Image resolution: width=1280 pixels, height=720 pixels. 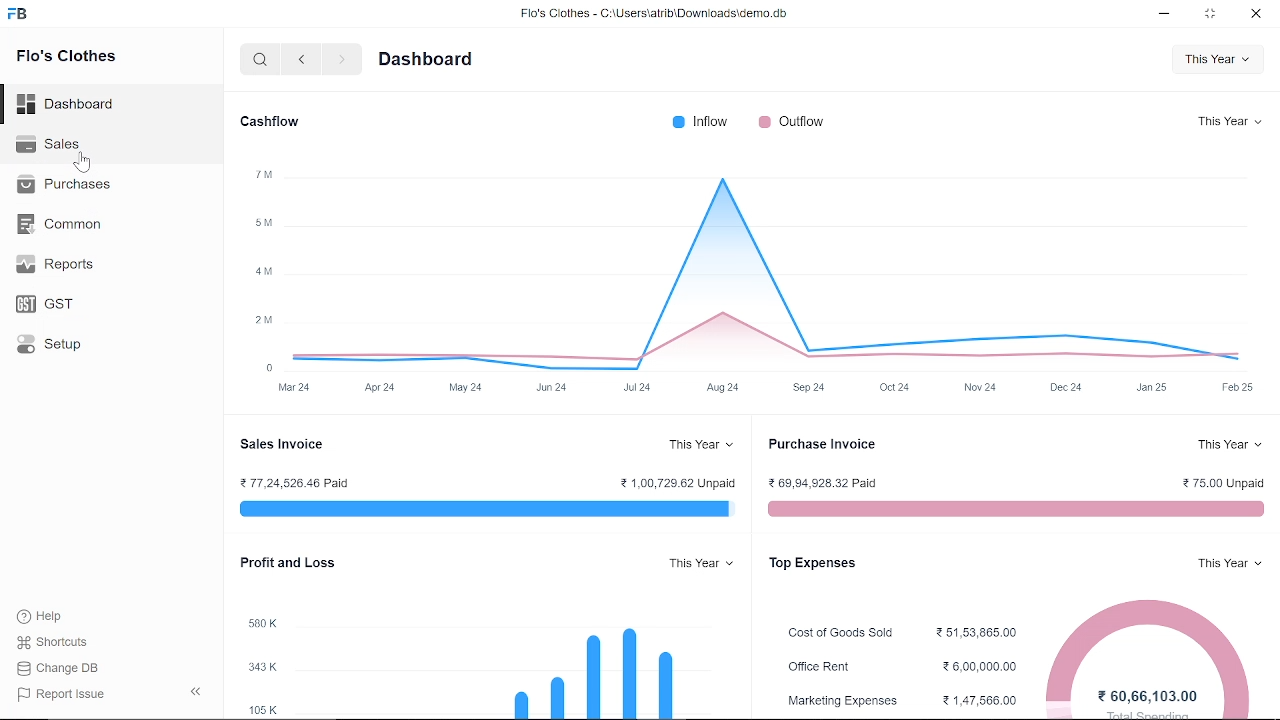 I want to click on sales Invoice, so click(x=286, y=445).